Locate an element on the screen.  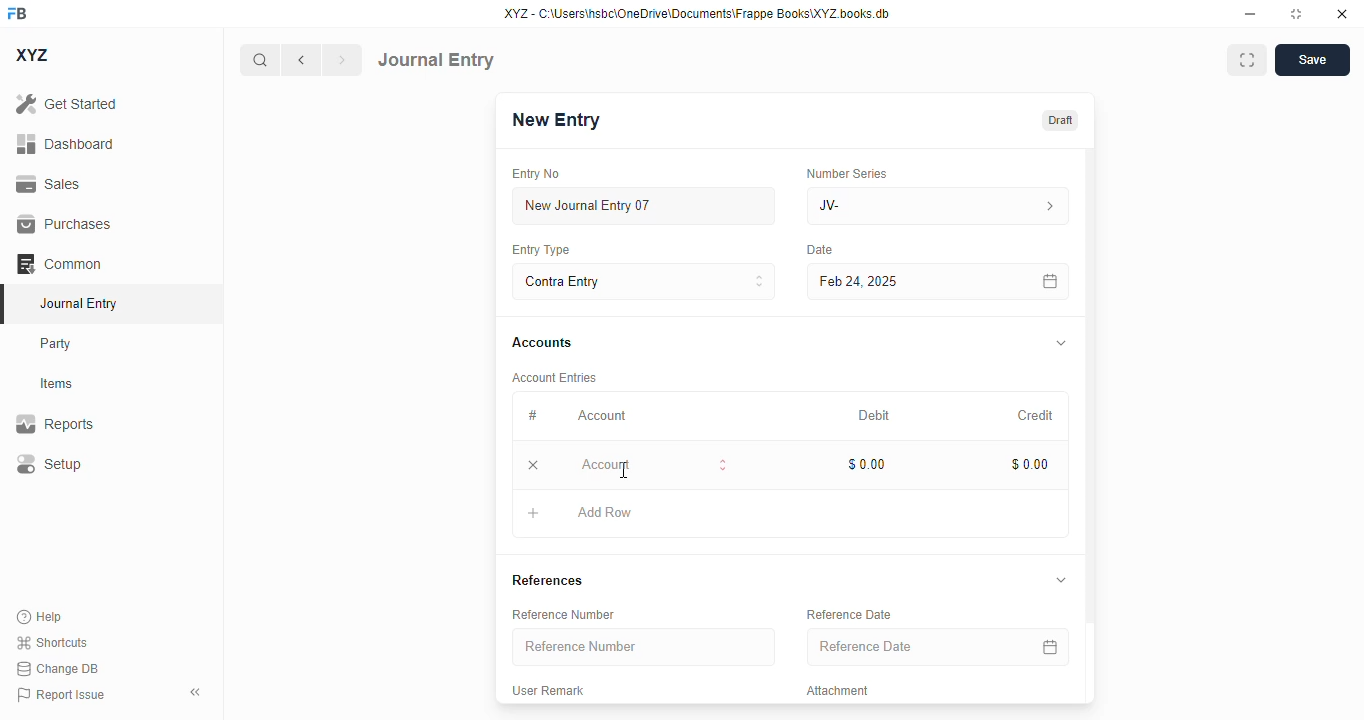
XYZ is located at coordinates (31, 55).